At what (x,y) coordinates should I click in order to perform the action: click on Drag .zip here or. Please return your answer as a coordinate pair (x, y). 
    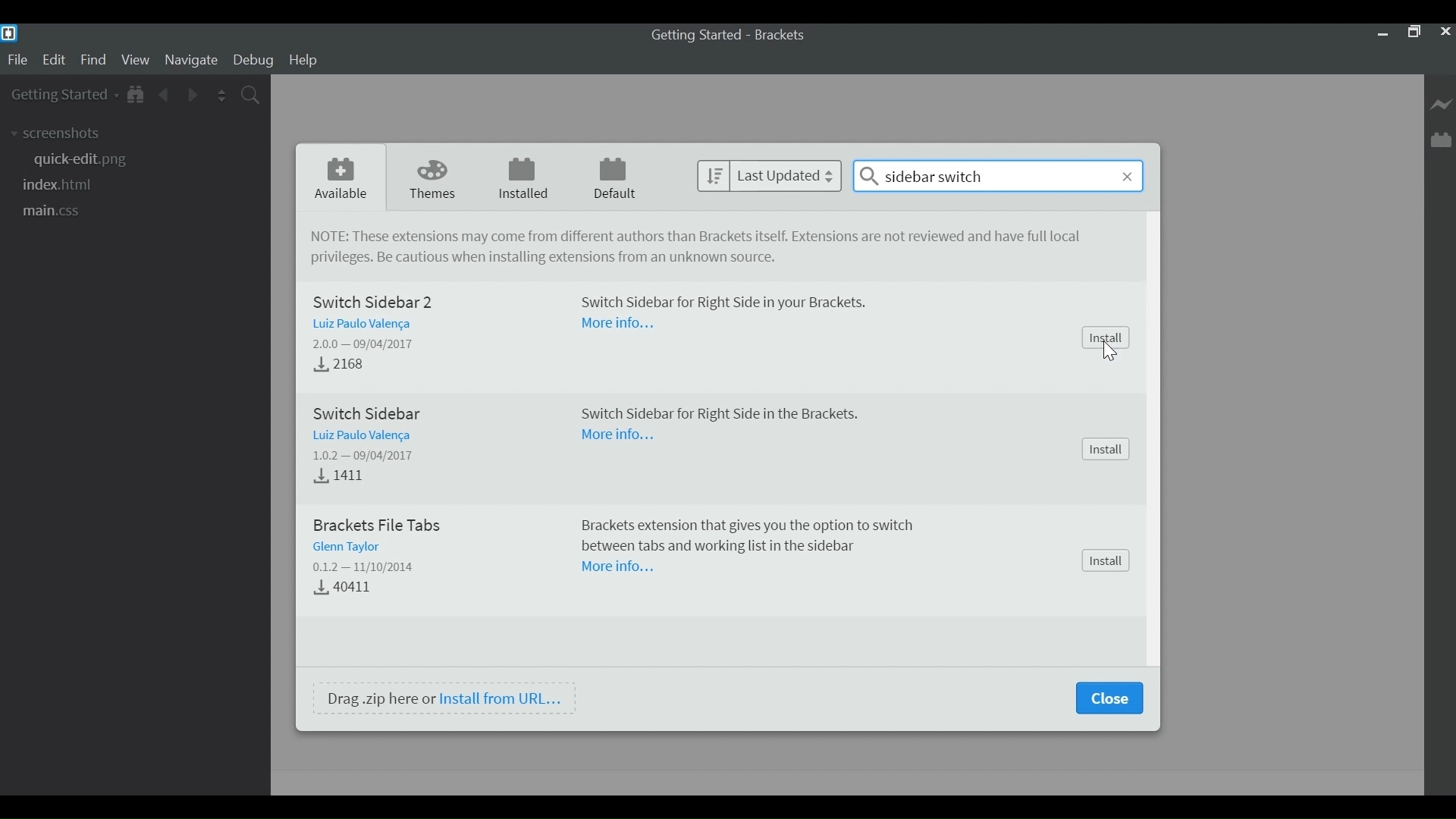
    Looking at the image, I should click on (379, 698).